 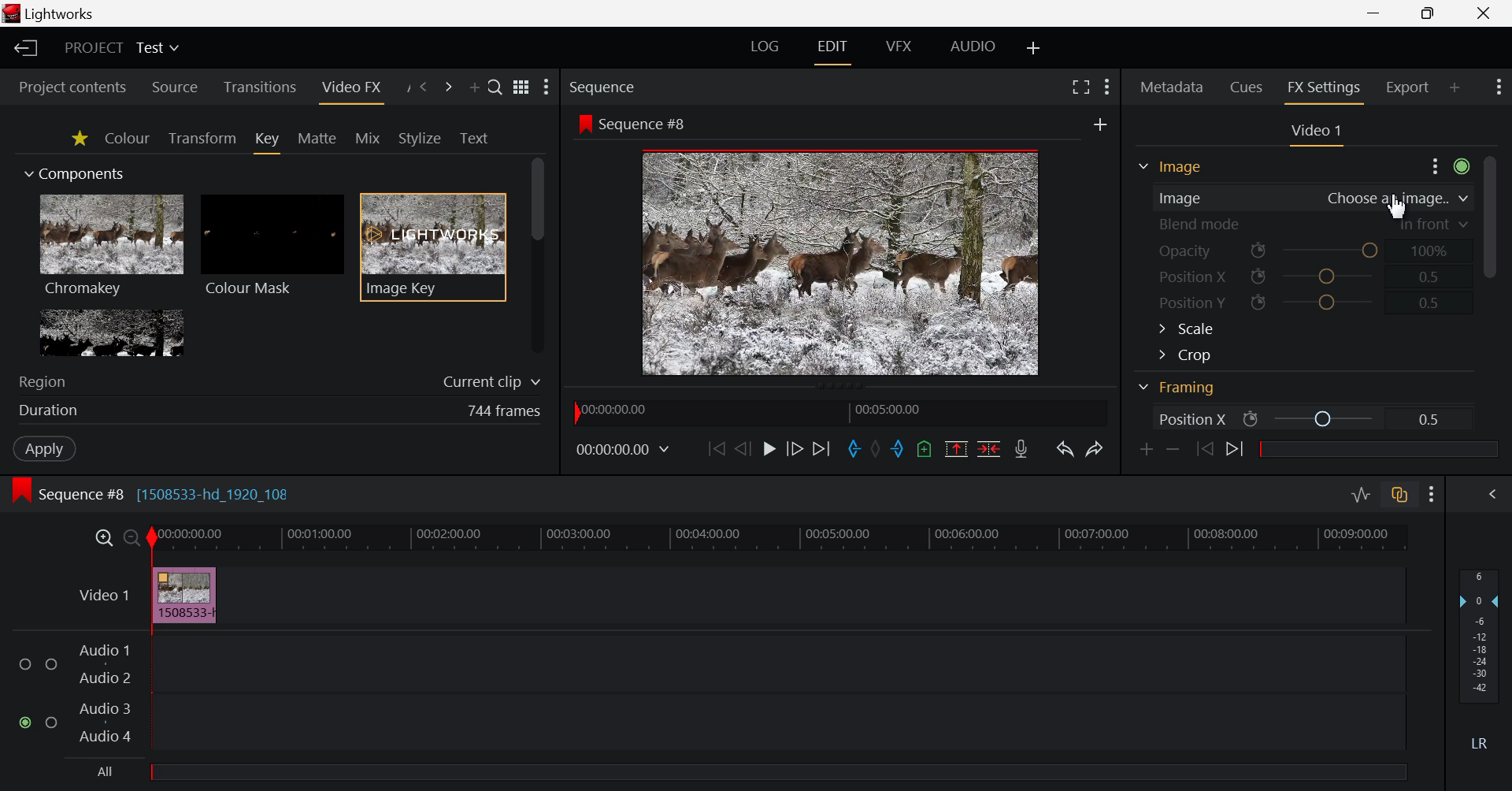 I want to click on checkbox, so click(x=26, y=664).